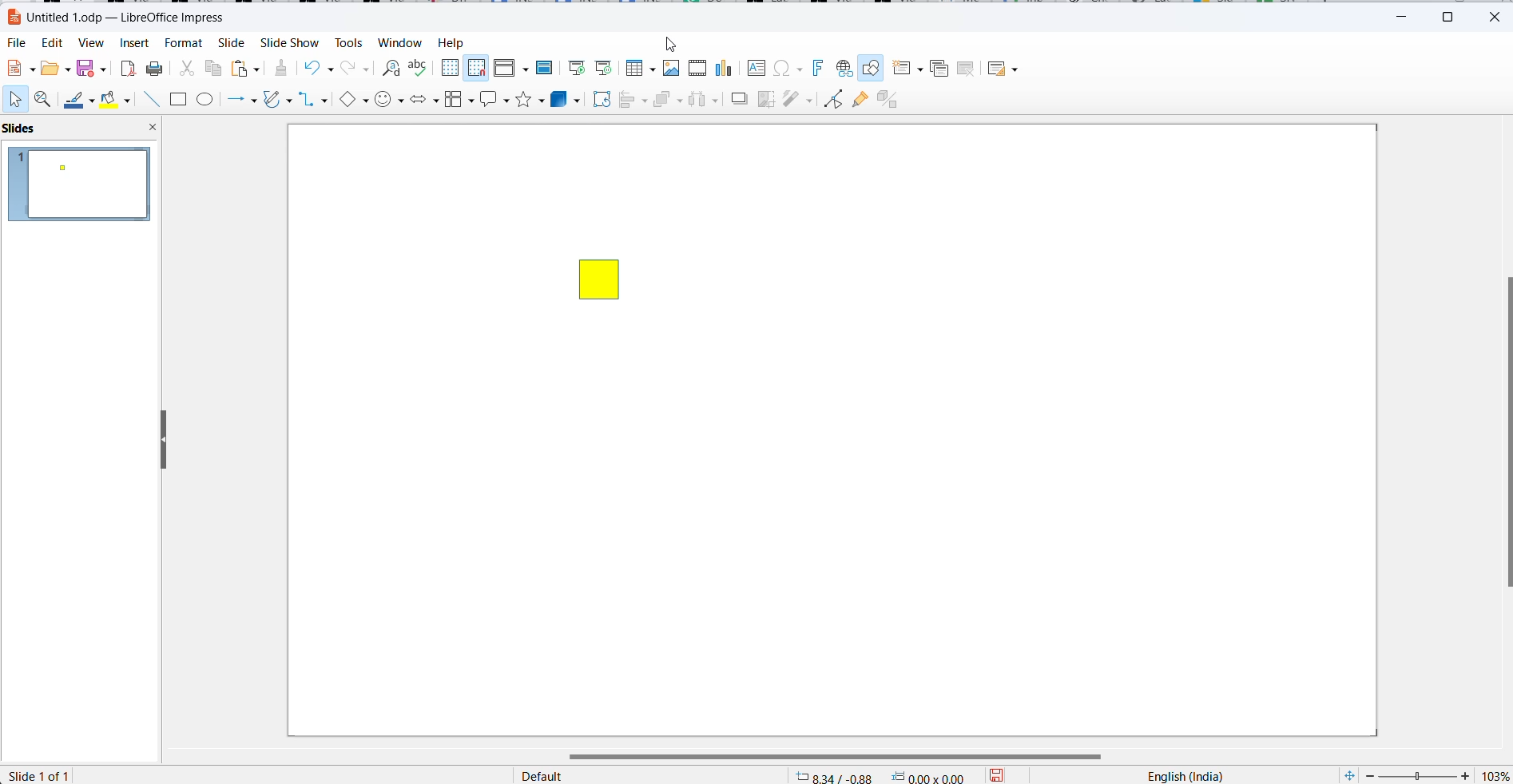 This screenshot has height=784, width=1513. Describe the element at coordinates (510, 66) in the screenshot. I see `Display views` at that location.